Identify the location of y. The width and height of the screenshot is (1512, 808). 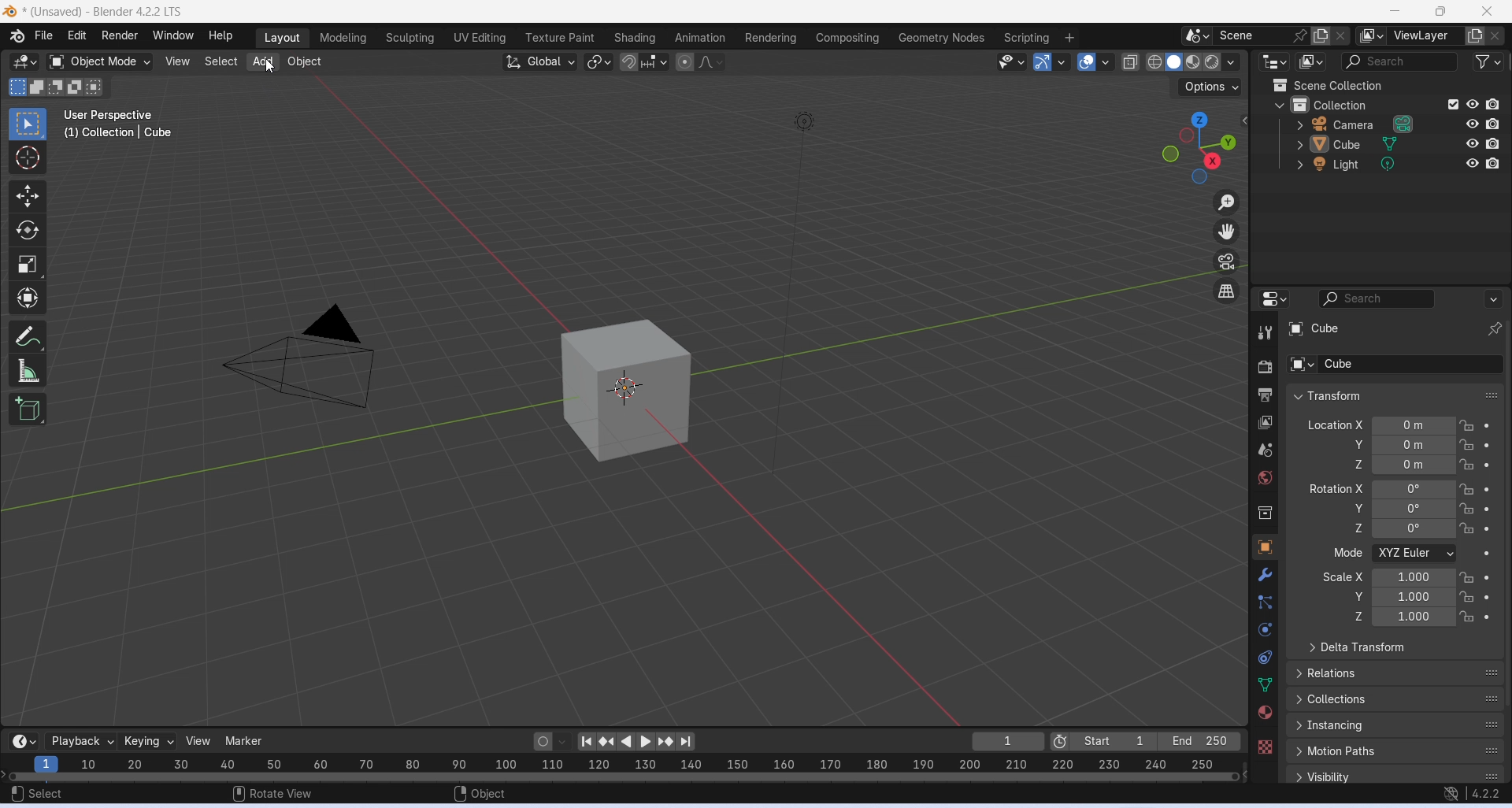
(1350, 595).